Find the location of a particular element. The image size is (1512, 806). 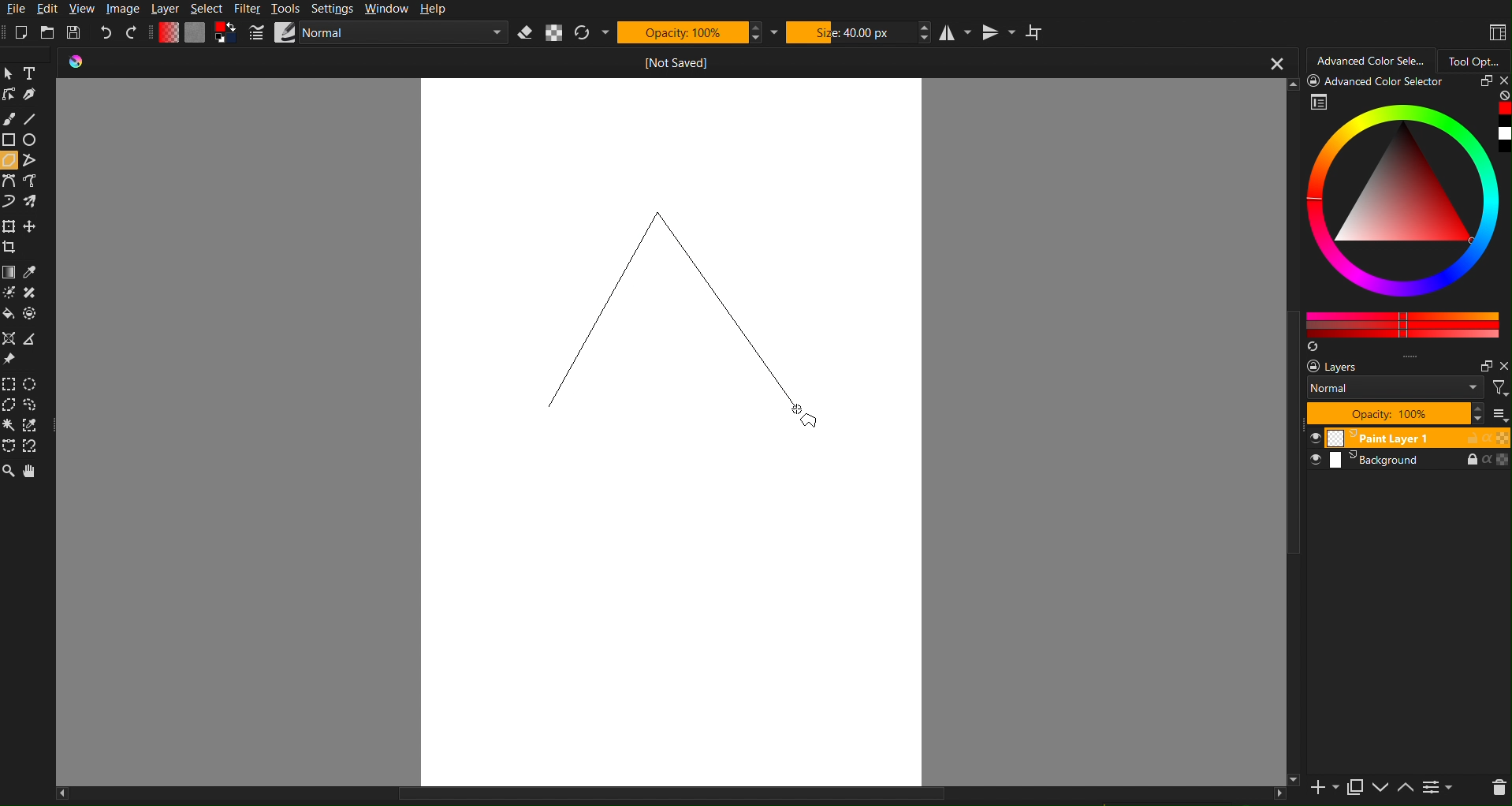

Horizontal Mirror is located at coordinates (955, 33).